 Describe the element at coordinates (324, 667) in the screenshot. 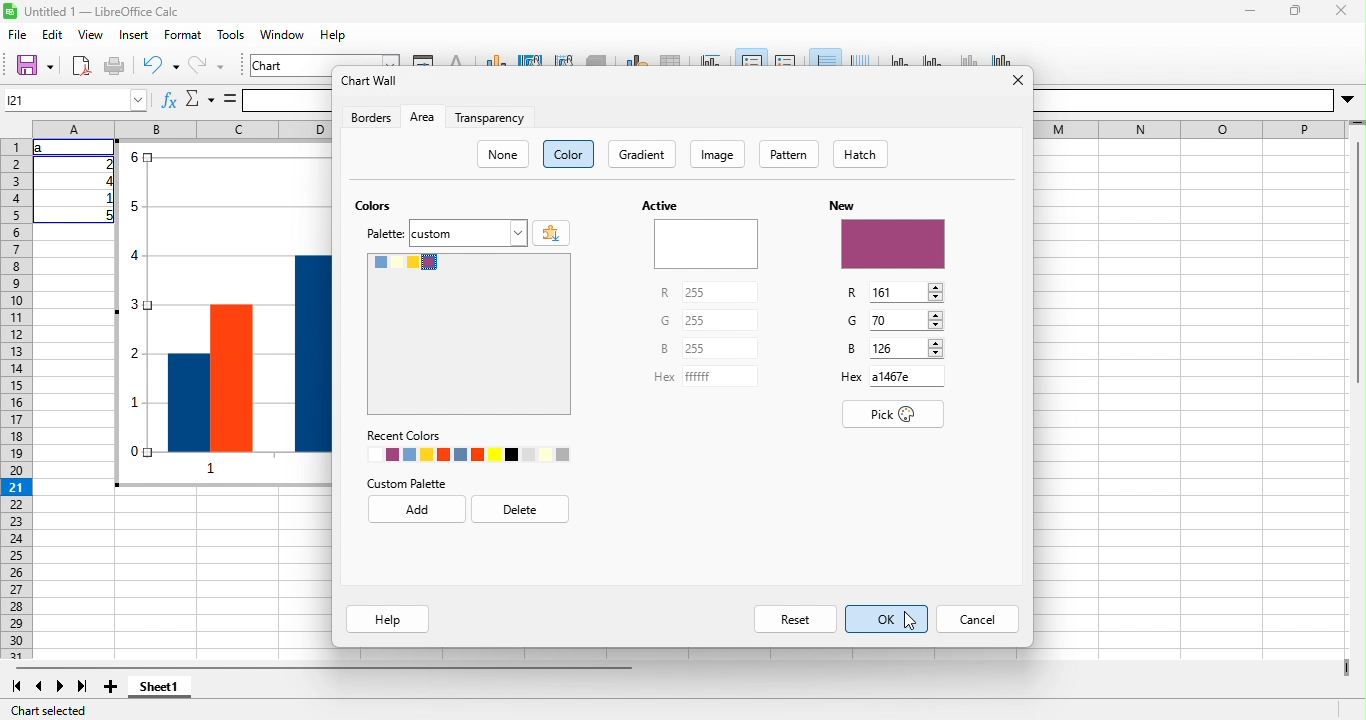

I see `horizontal scroll bar` at that location.